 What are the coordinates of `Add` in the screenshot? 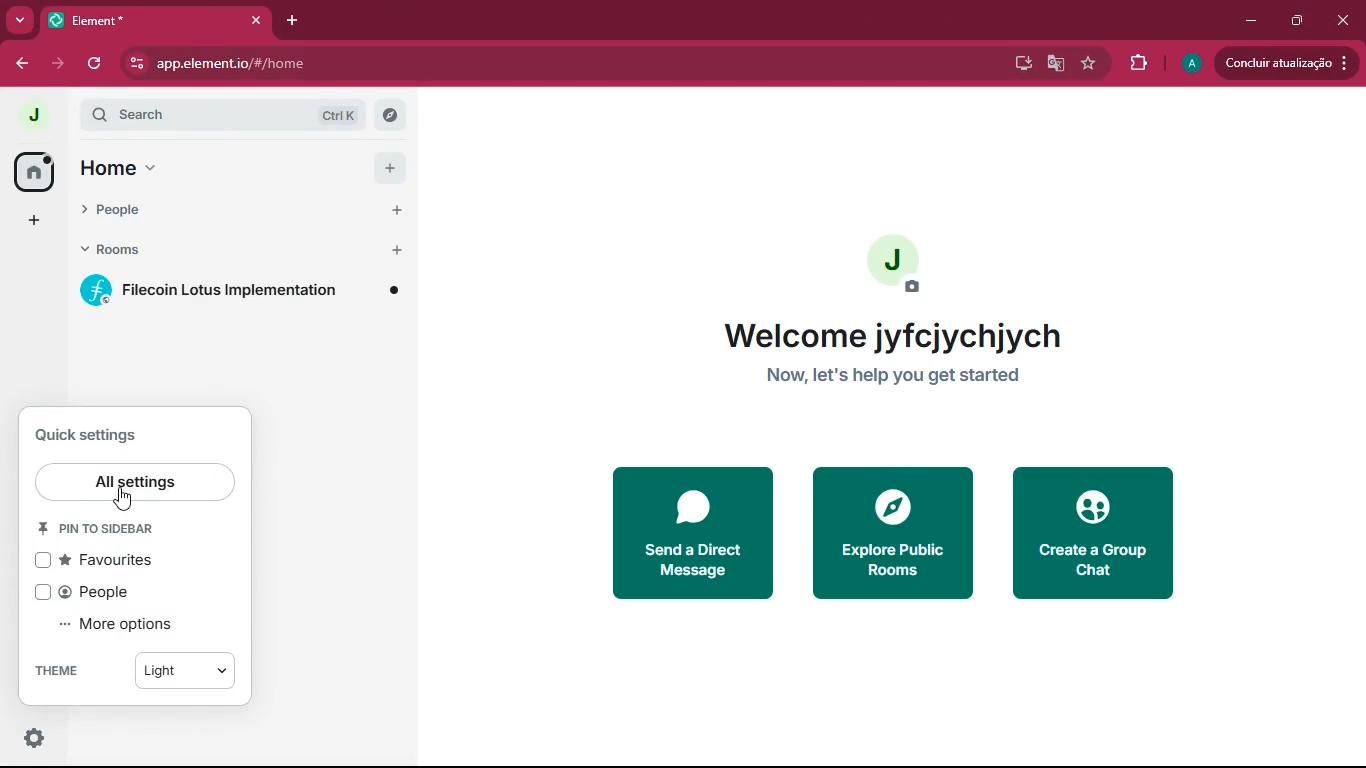 It's located at (394, 169).